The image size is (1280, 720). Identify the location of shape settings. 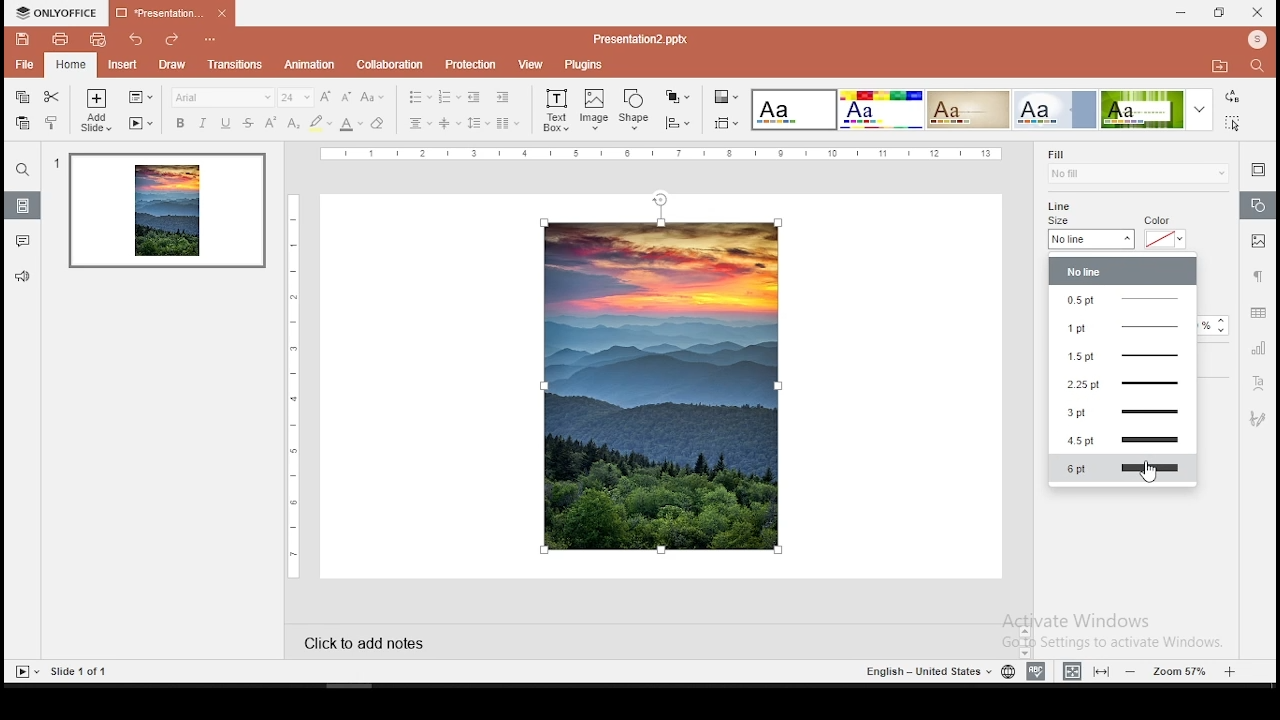
(1259, 207).